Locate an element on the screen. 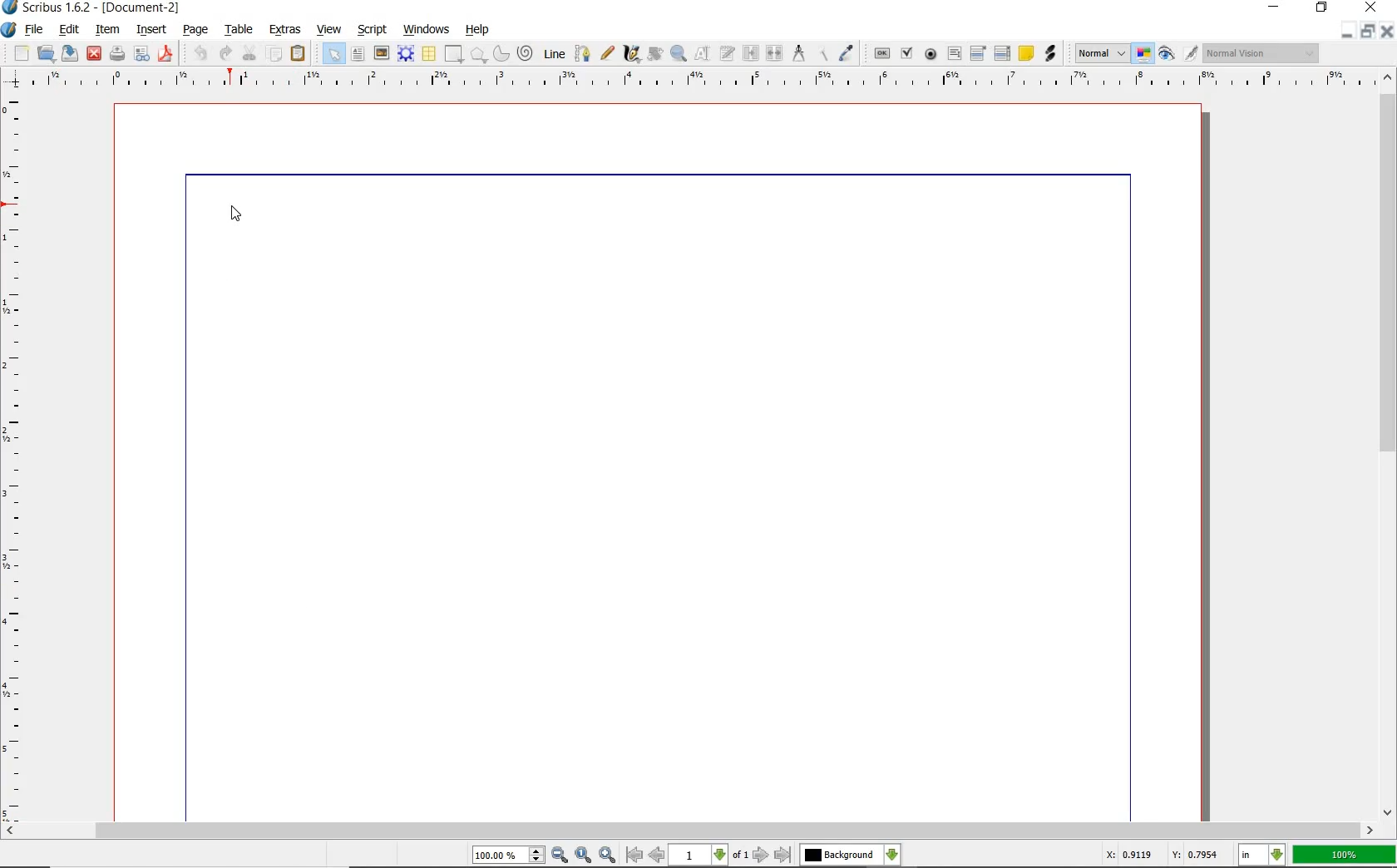 The image size is (1397, 868). extras is located at coordinates (284, 30).